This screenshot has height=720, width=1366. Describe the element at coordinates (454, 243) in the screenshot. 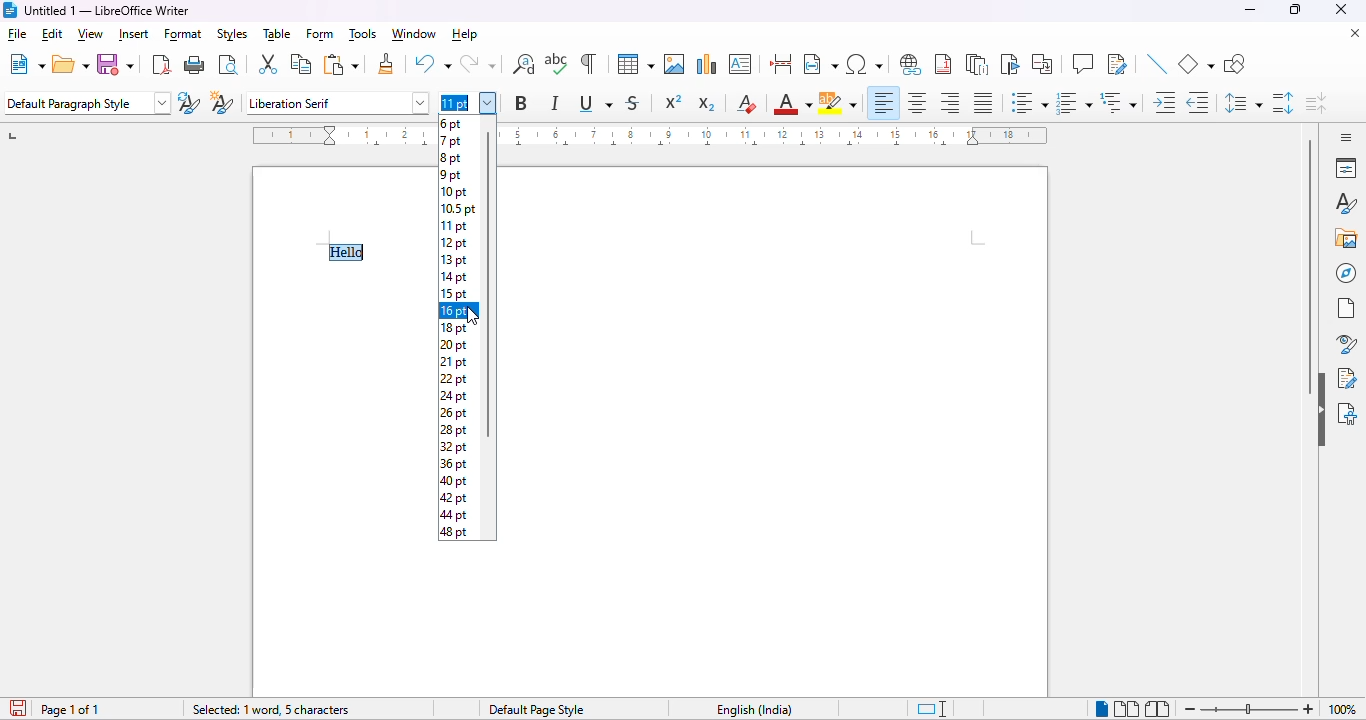

I see `12 pt` at that location.